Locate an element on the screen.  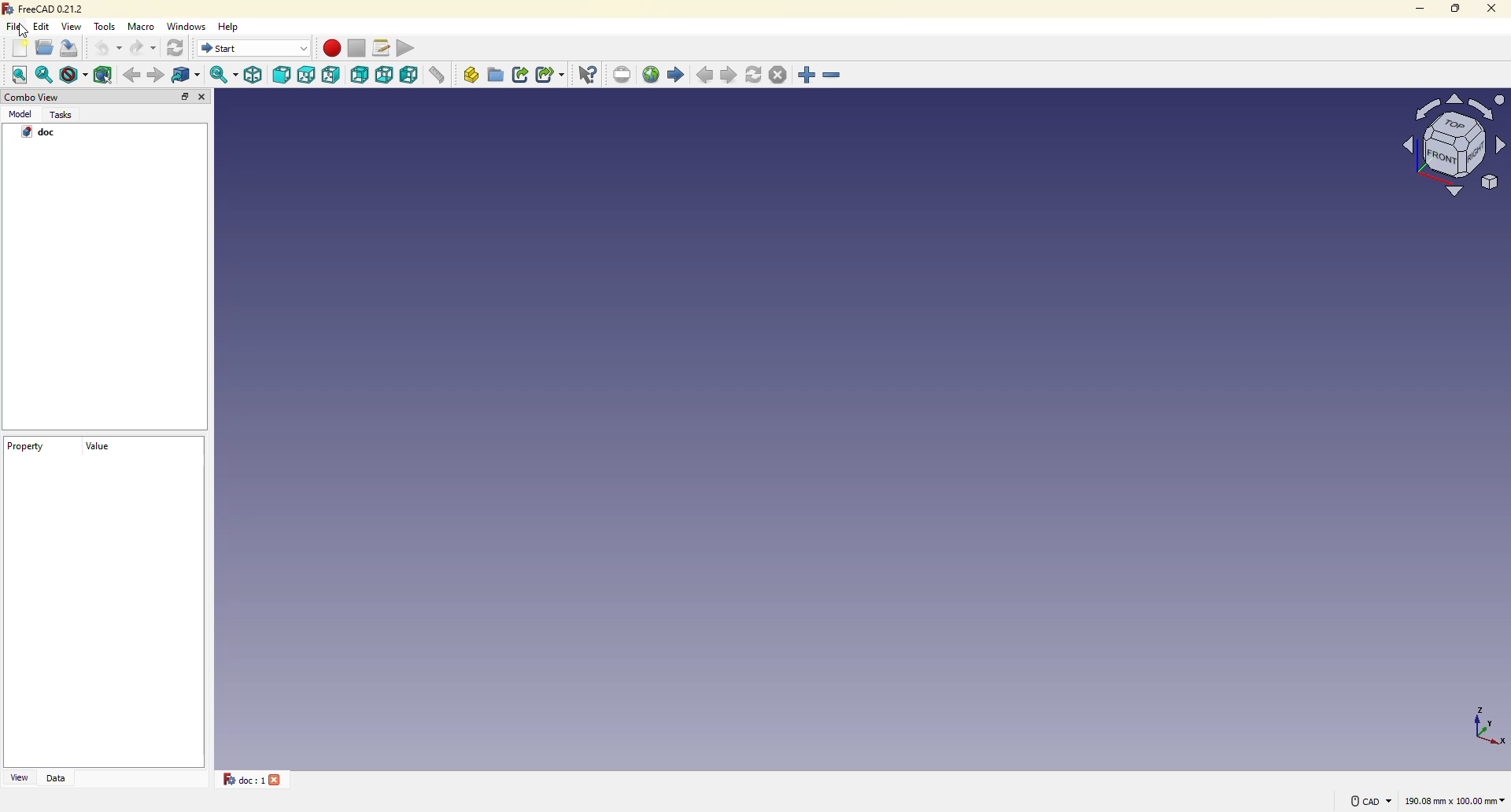
left is located at coordinates (412, 76).